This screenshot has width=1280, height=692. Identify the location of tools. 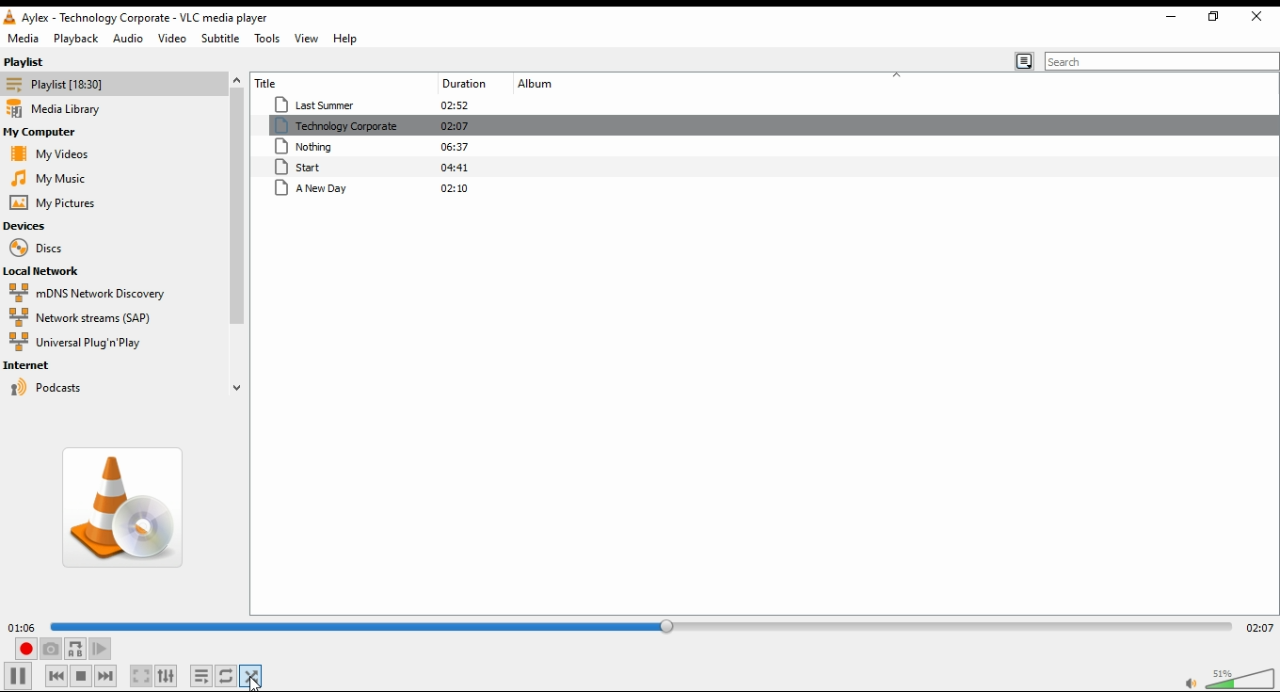
(267, 41).